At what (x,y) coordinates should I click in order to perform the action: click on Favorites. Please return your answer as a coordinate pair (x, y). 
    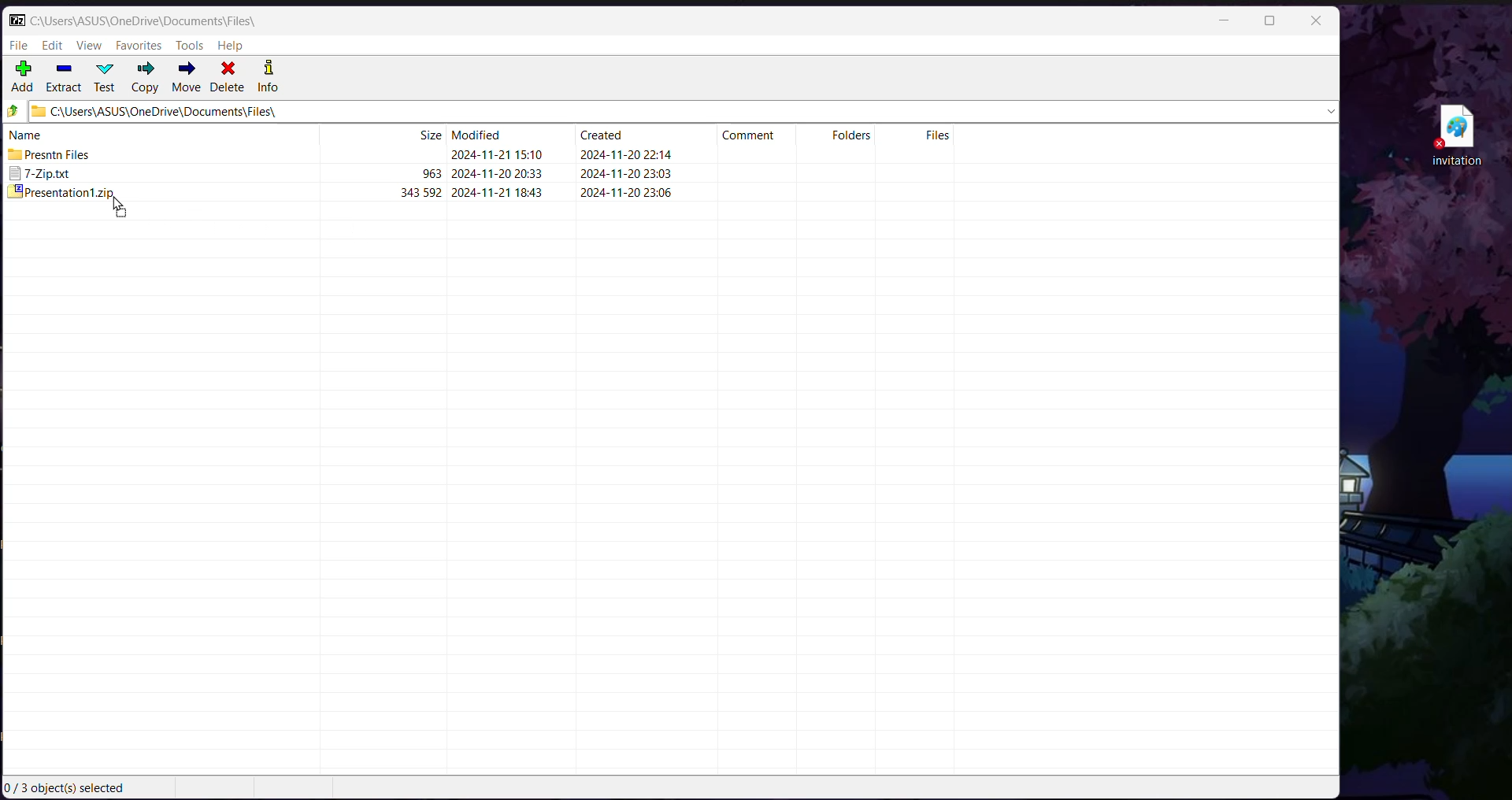
    Looking at the image, I should click on (139, 46).